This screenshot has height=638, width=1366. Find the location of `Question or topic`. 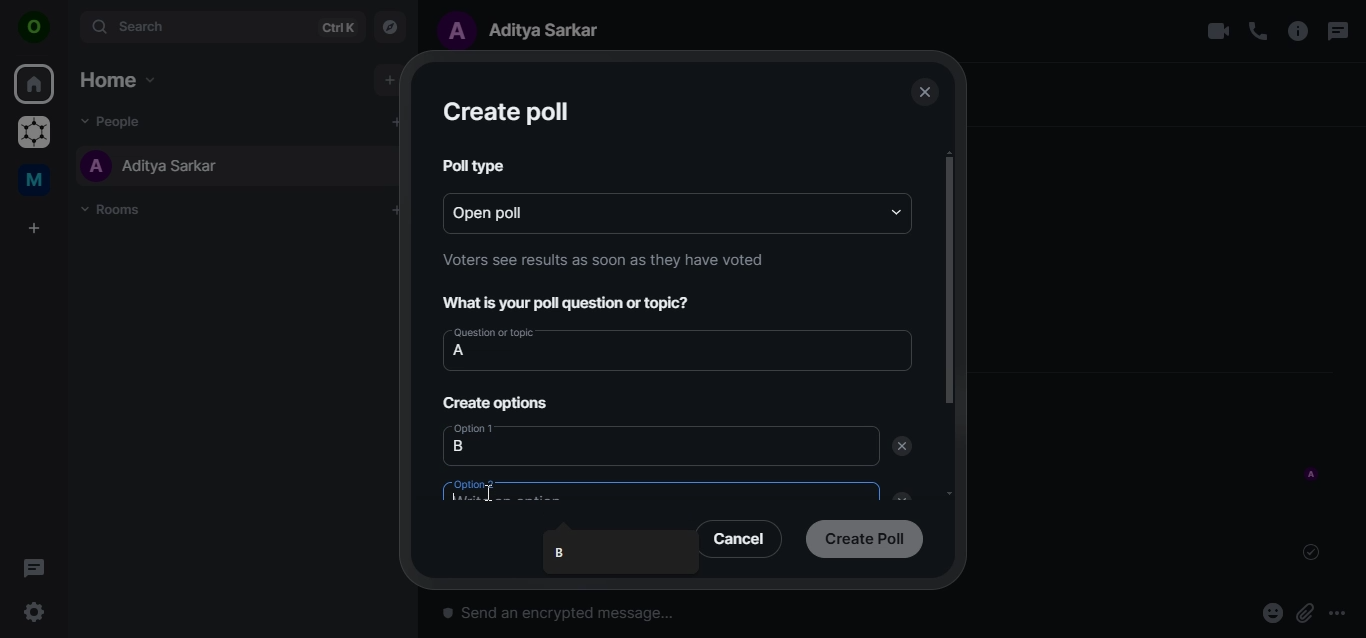

Question or topic is located at coordinates (493, 332).